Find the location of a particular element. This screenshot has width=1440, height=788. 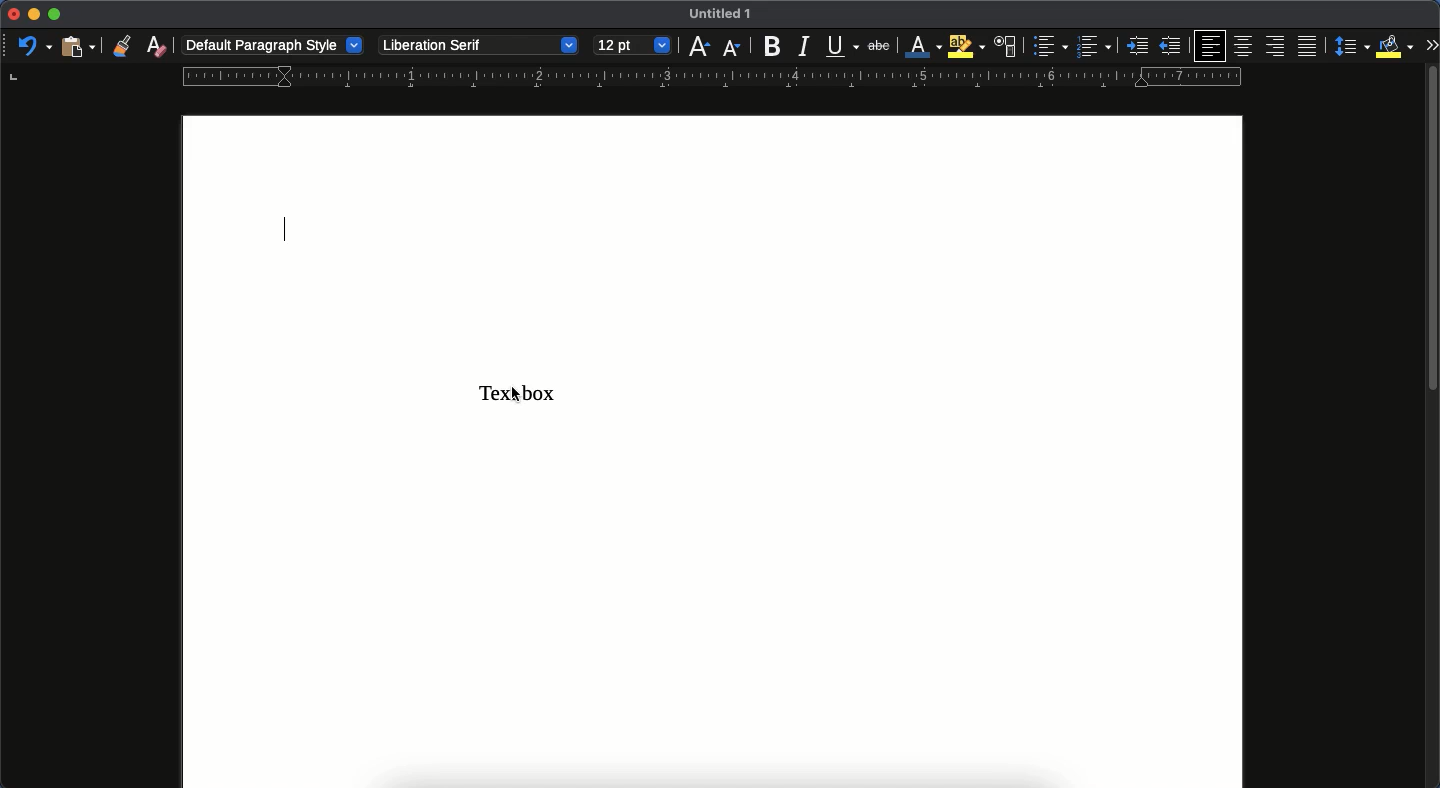

font color is located at coordinates (922, 49).